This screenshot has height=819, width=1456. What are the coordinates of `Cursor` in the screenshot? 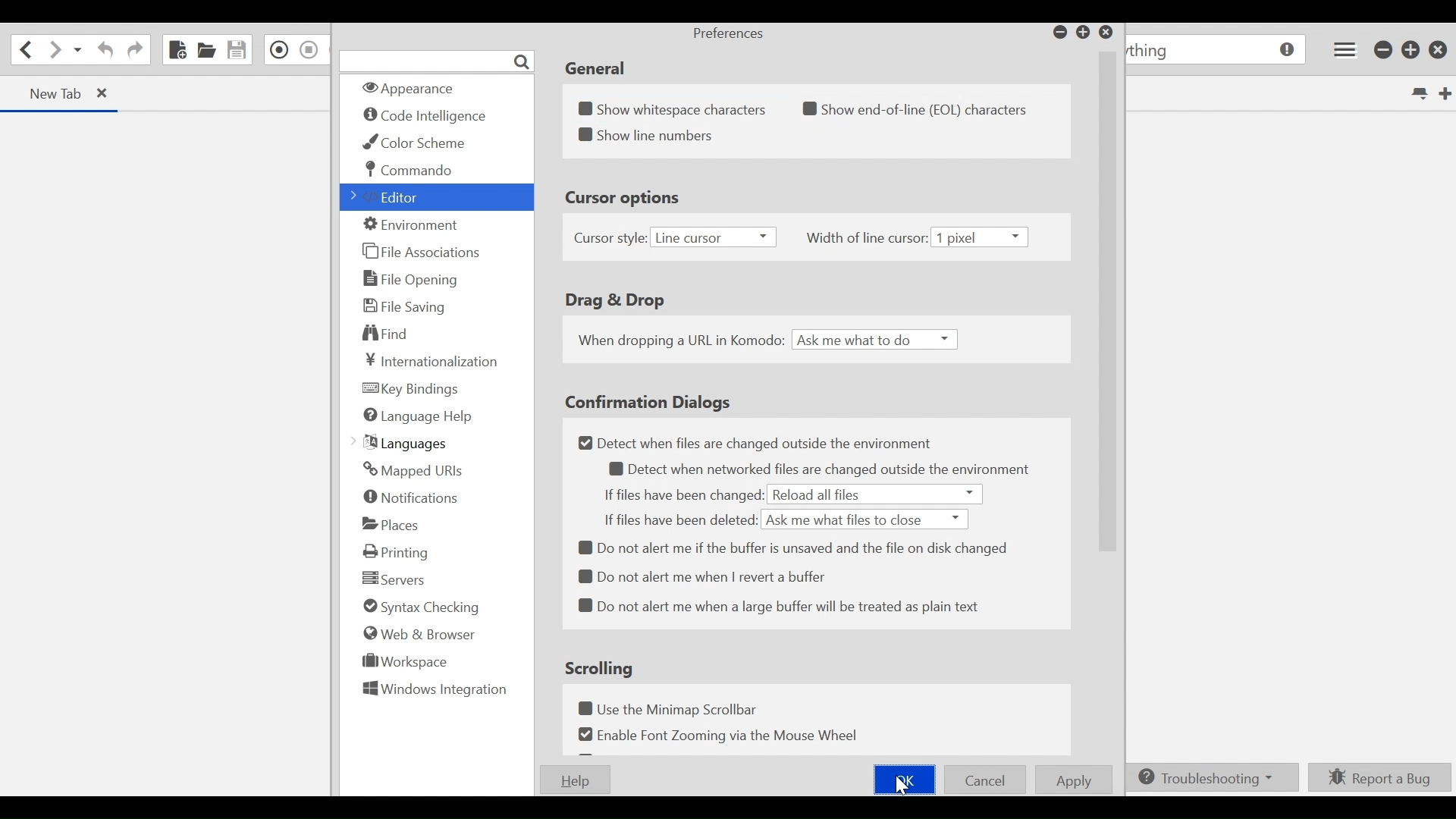 It's located at (905, 790).